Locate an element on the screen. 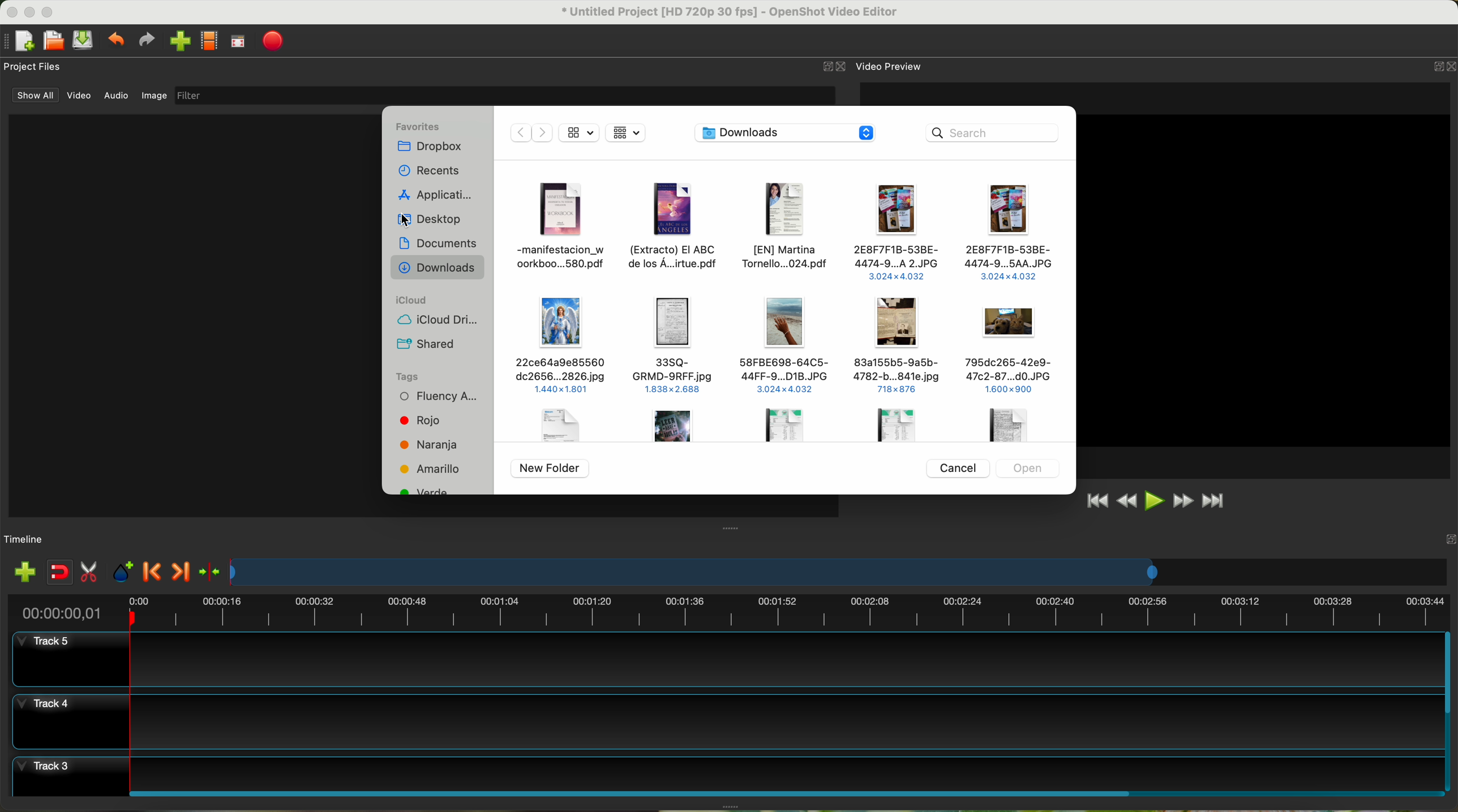  close is located at coordinates (835, 67).